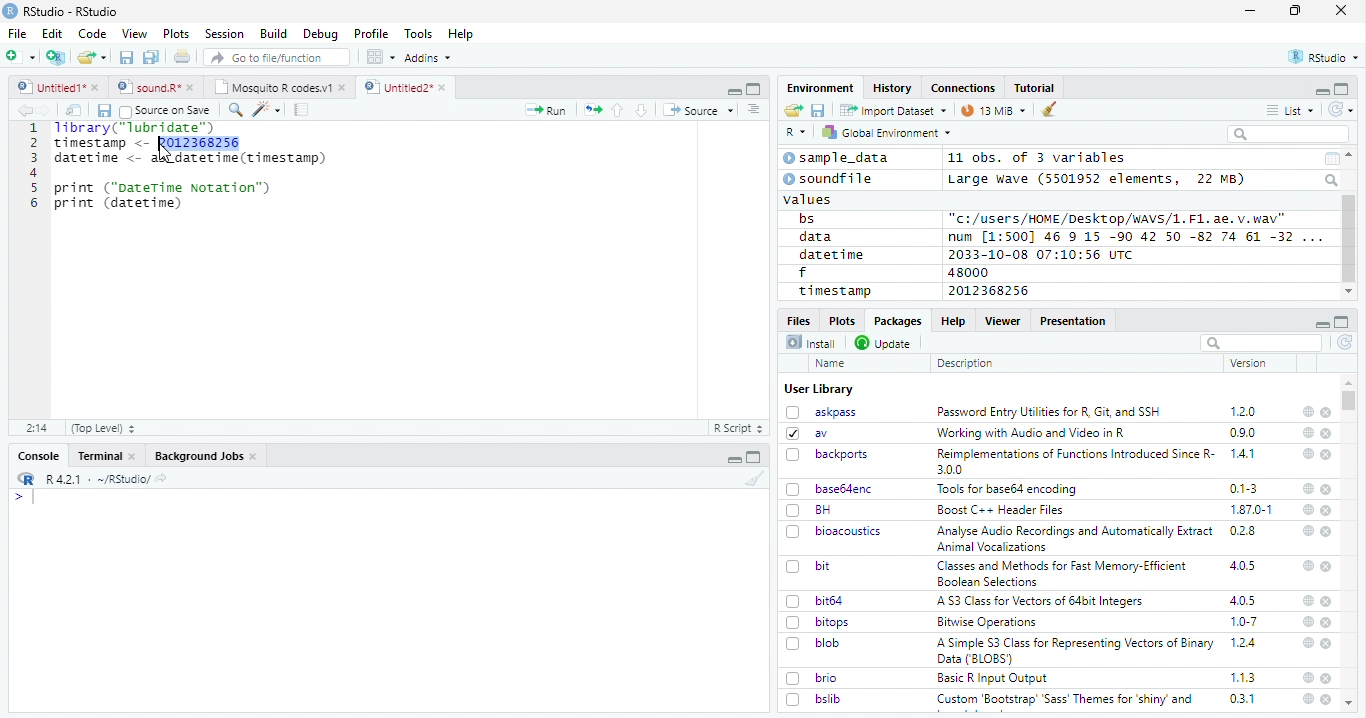 Image resolution: width=1366 pixels, height=718 pixels. I want to click on 2012368256, so click(992, 291).